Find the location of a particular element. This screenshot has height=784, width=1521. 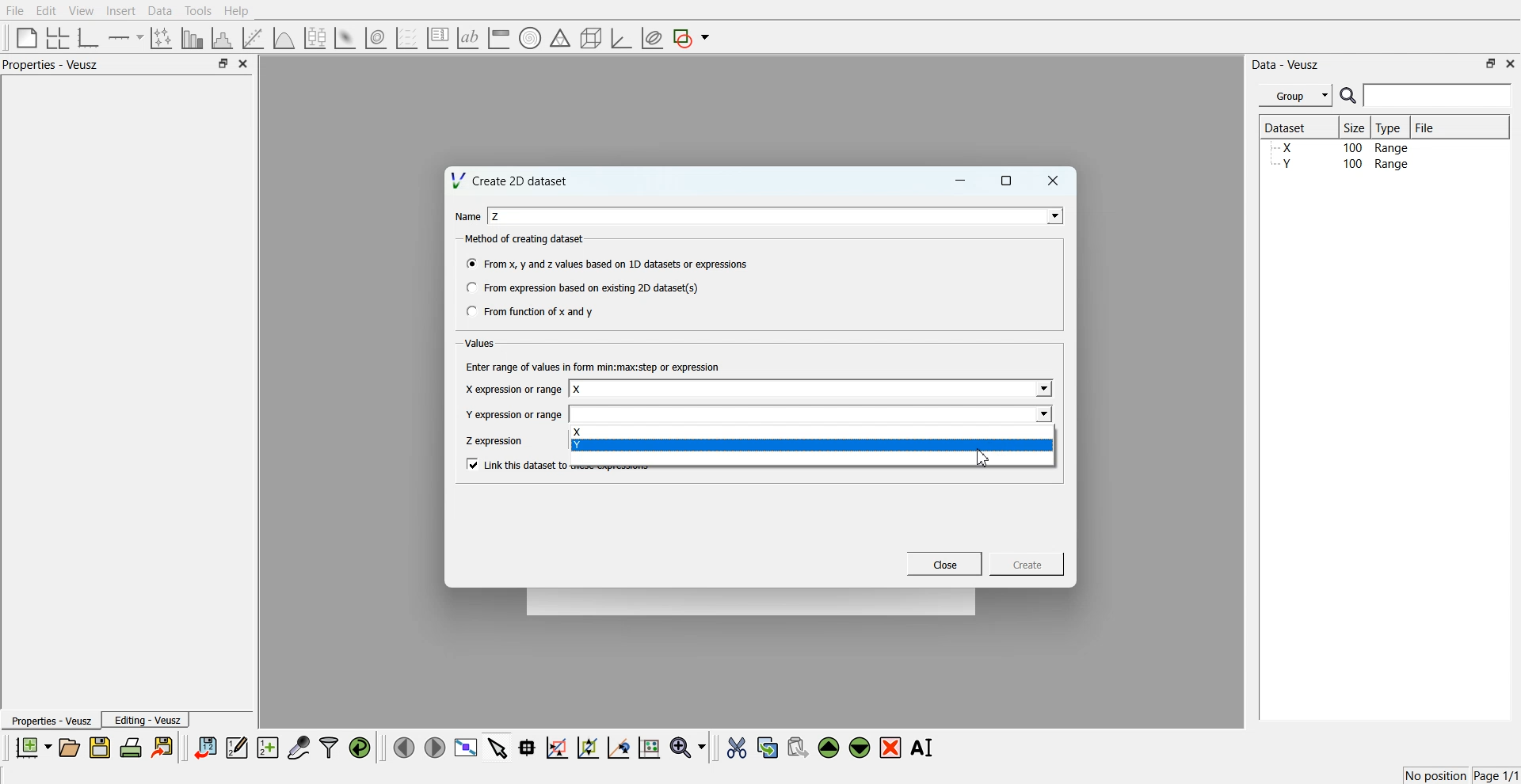

Minimize is located at coordinates (960, 181).